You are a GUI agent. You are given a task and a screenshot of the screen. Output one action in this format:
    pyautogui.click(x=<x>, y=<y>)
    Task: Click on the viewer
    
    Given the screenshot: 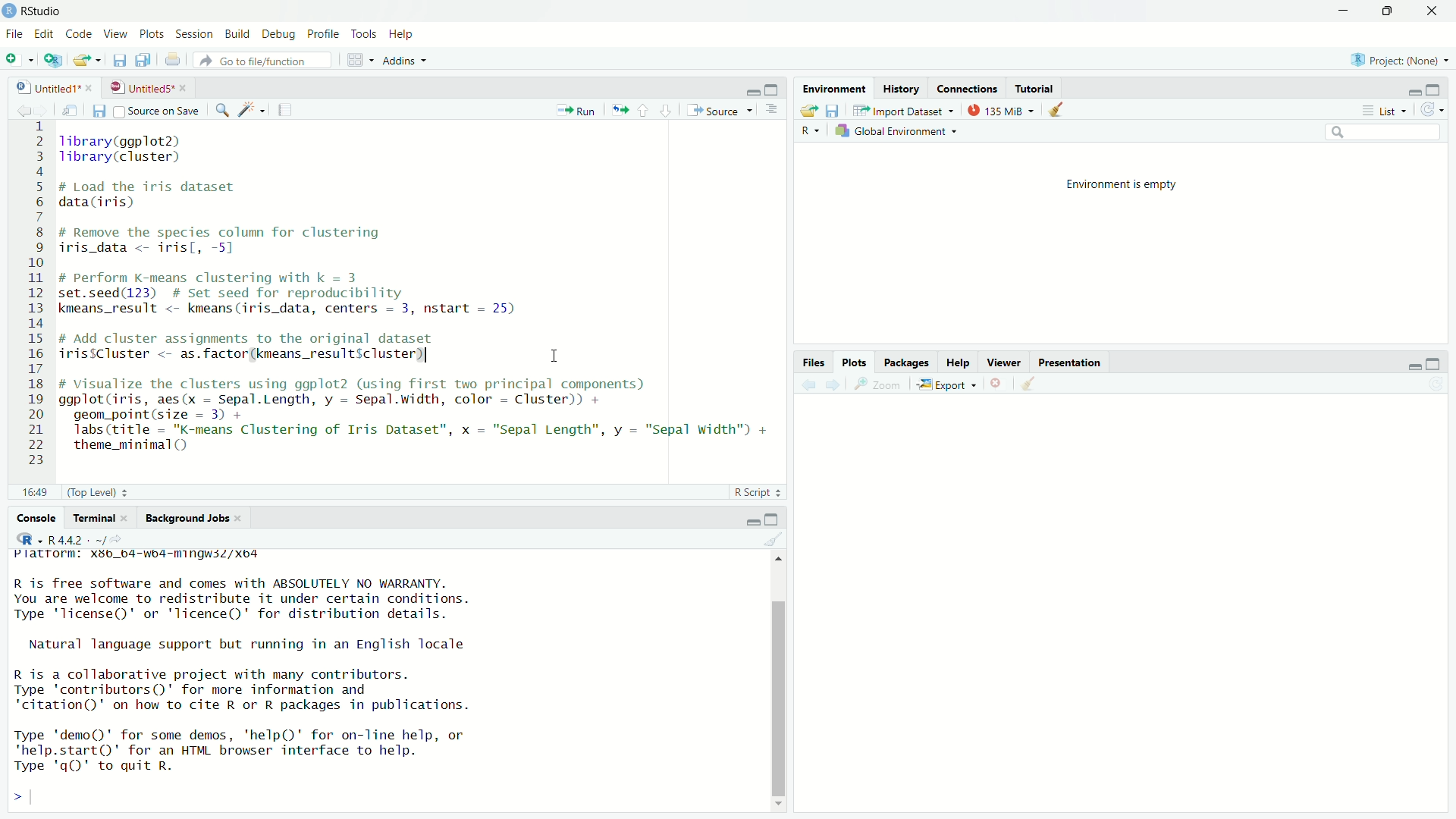 What is the action you would take?
    pyautogui.click(x=1005, y=362)
    